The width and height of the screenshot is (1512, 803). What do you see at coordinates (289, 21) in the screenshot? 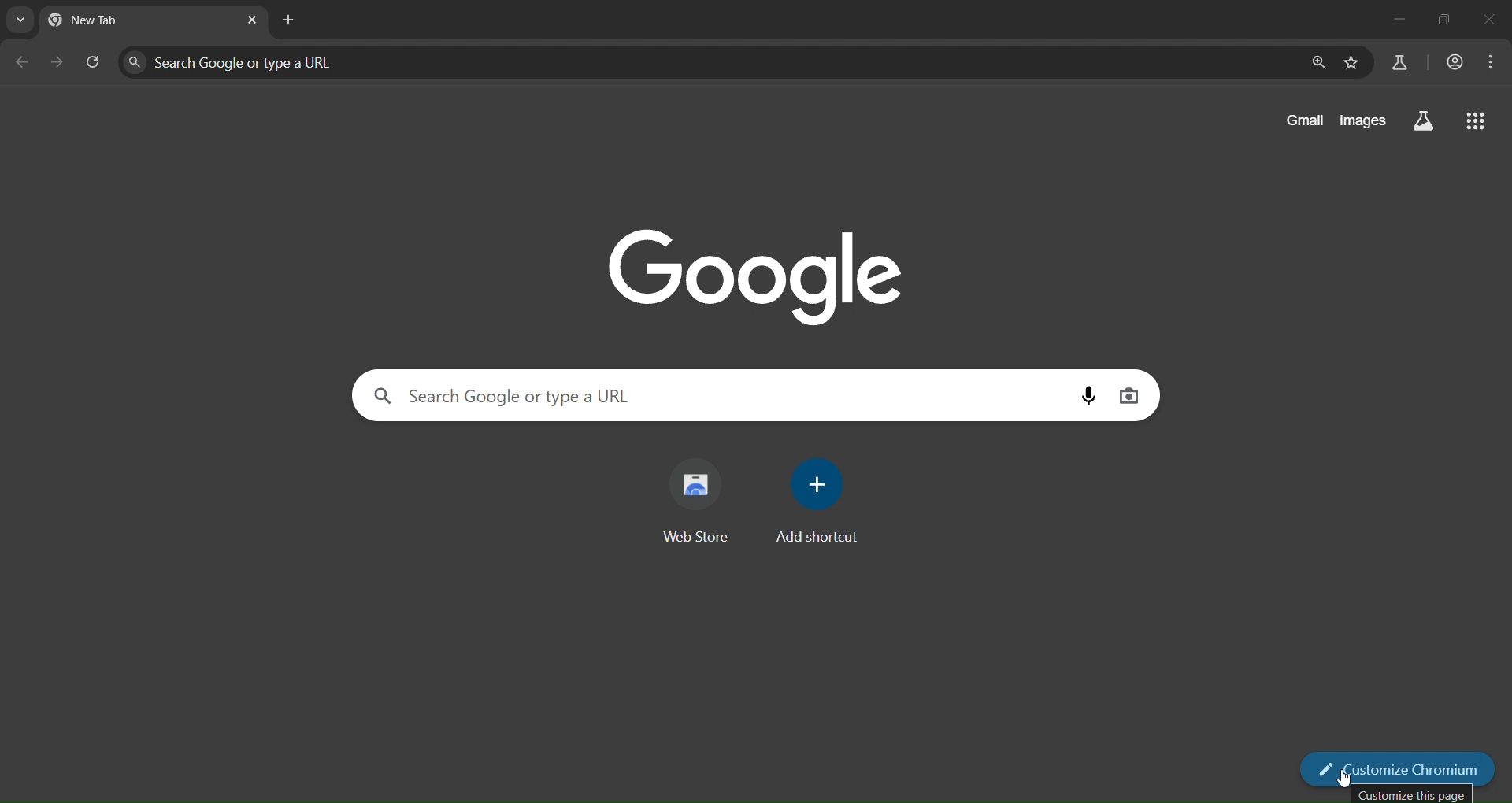
I see `new tab` at bounding box center [289, 21].